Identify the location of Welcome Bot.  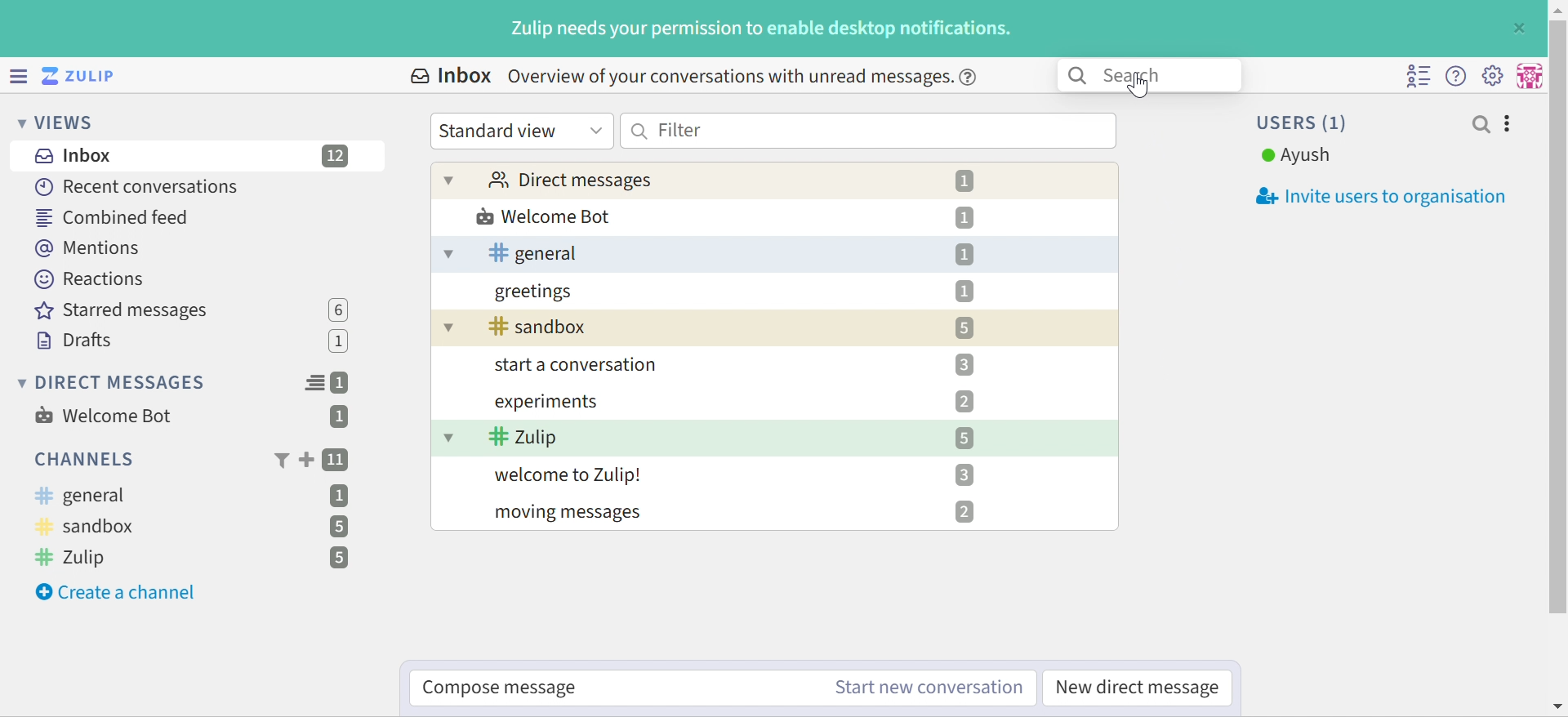
(104, 416).